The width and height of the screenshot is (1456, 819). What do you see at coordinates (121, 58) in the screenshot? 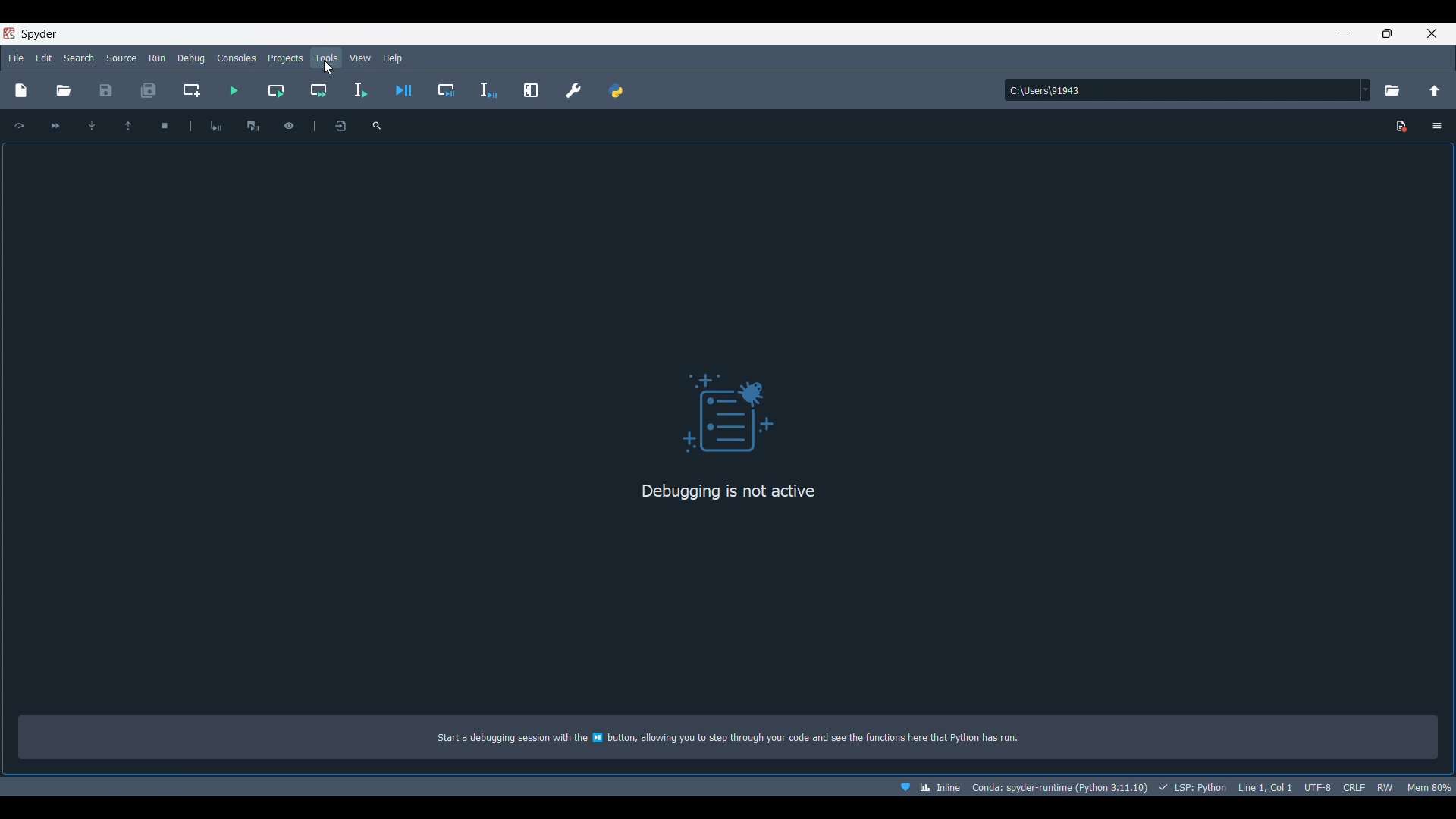
I see `Source menu` at bounding box center [121, 58].